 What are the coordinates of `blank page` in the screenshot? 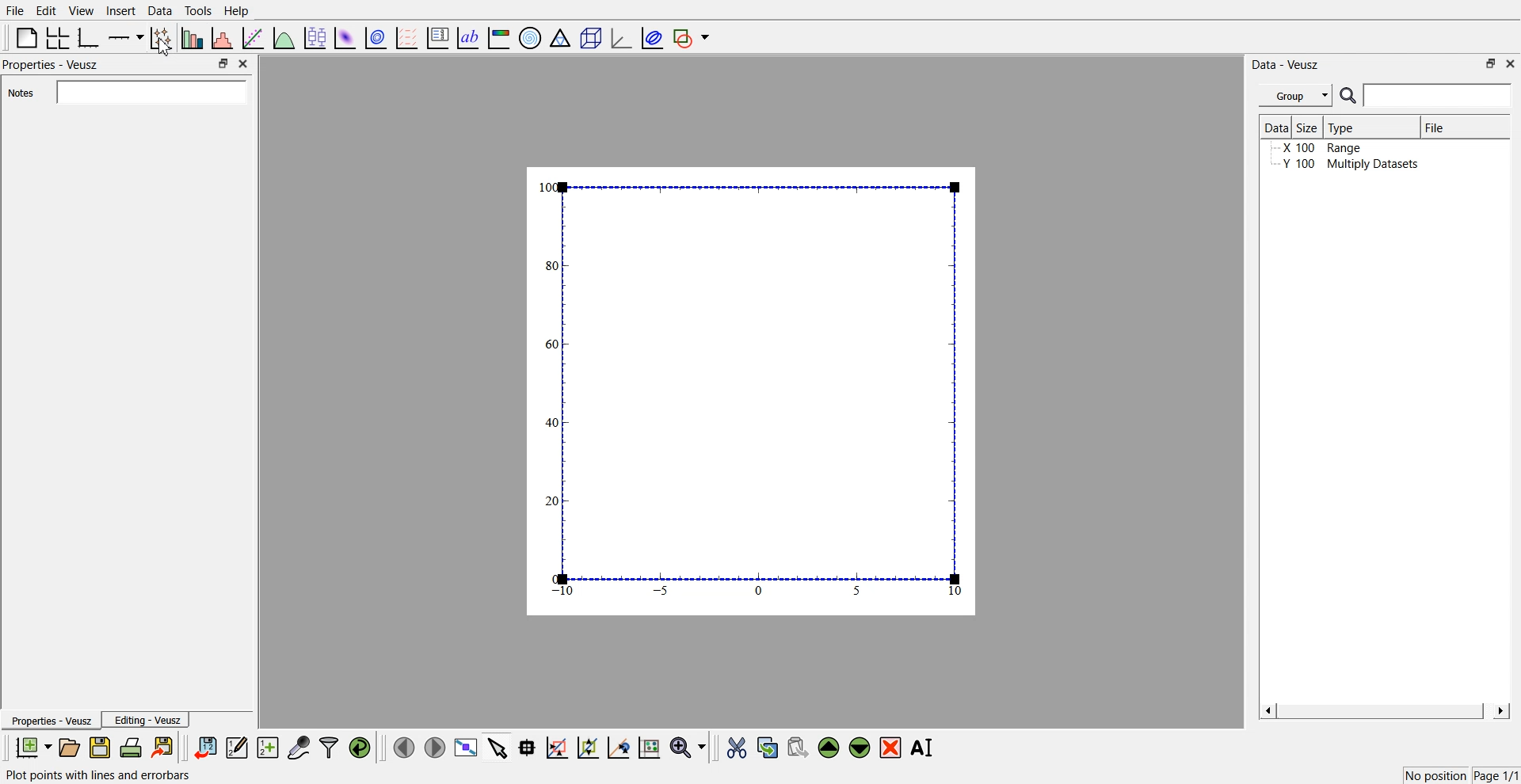 It's located at (23, 36).